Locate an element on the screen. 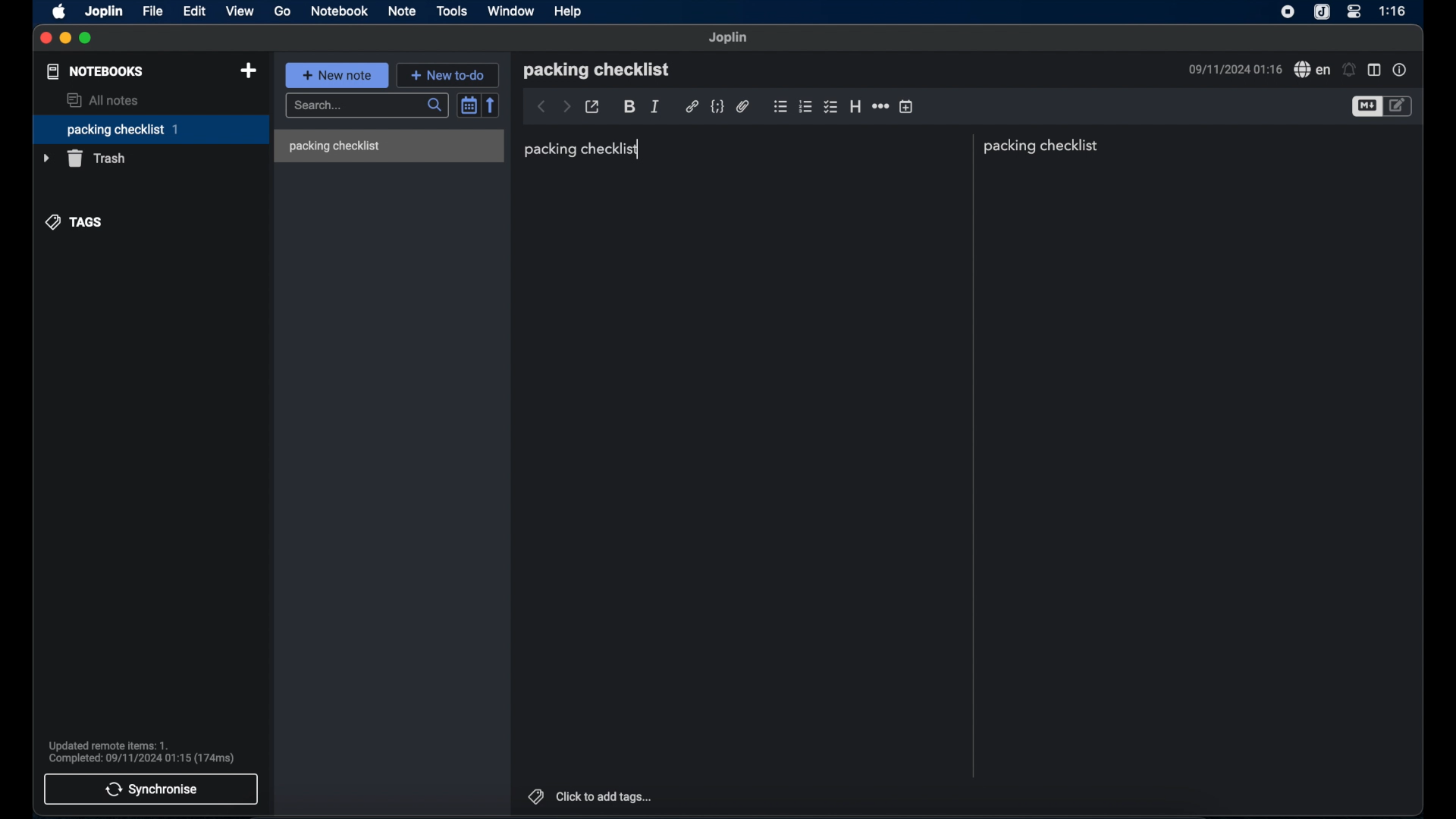 The width and height of the screenshot is (1456, 819). joplin icone is located at coordinates (1322, 12).